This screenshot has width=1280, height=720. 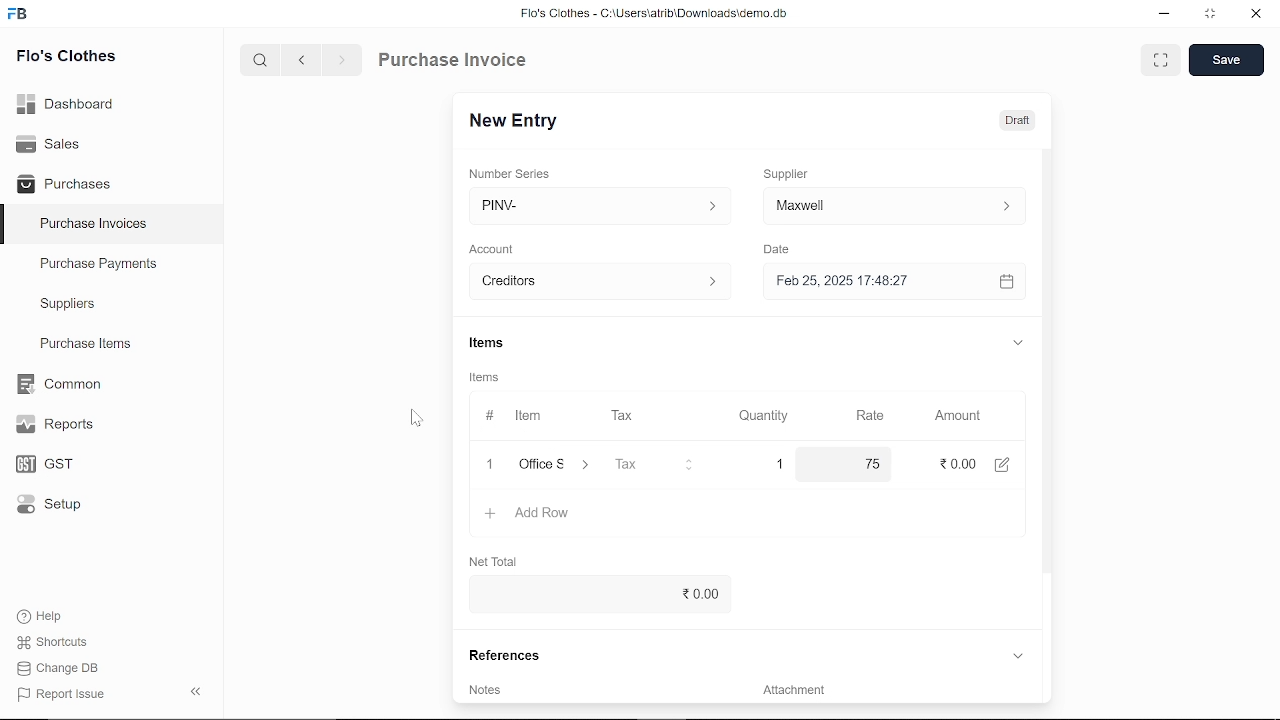 I want to click on Common, so click(x=61, y=384).